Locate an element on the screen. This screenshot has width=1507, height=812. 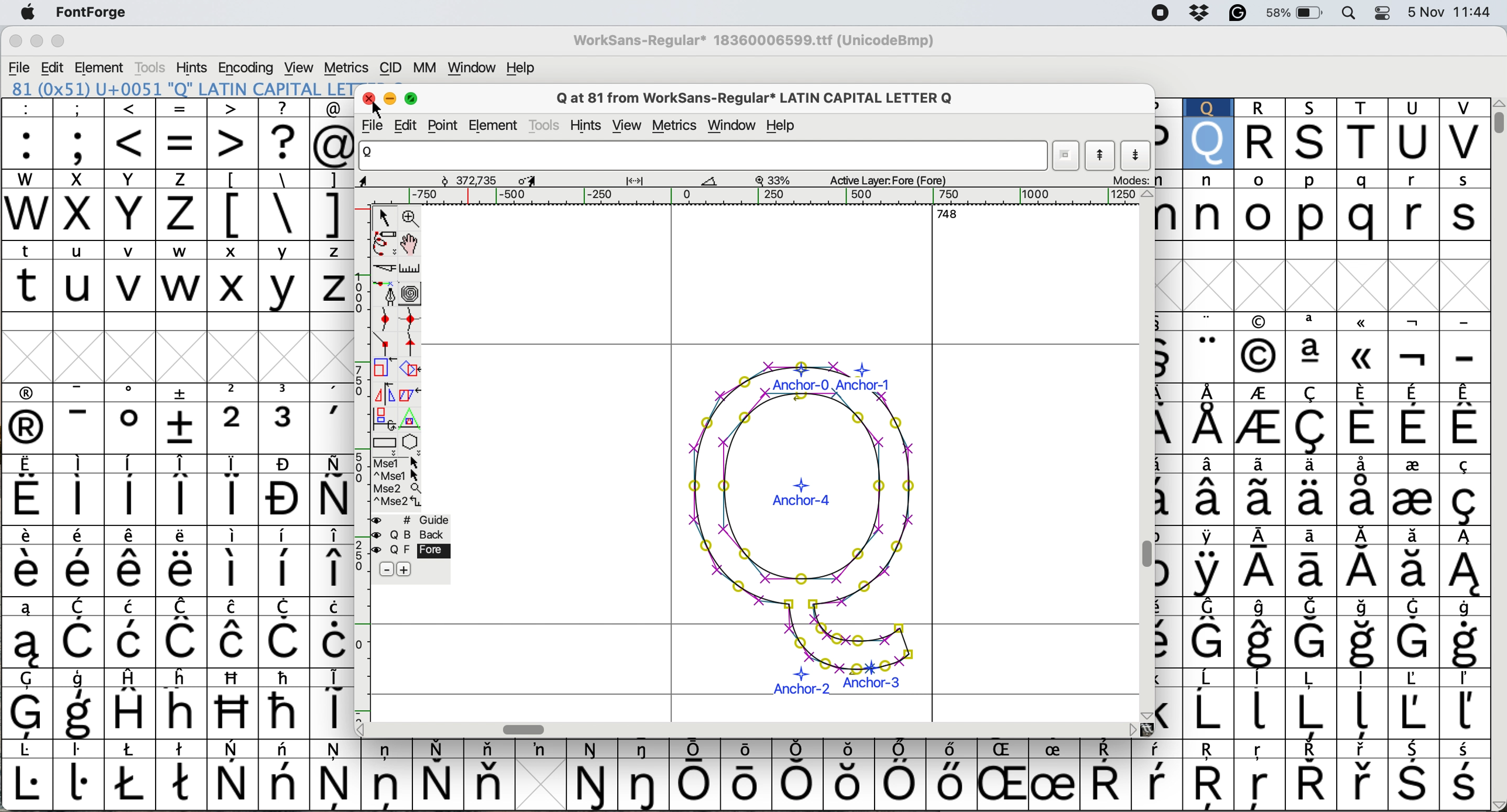
rectangle or ellipse is located at coordinates (386, 445).